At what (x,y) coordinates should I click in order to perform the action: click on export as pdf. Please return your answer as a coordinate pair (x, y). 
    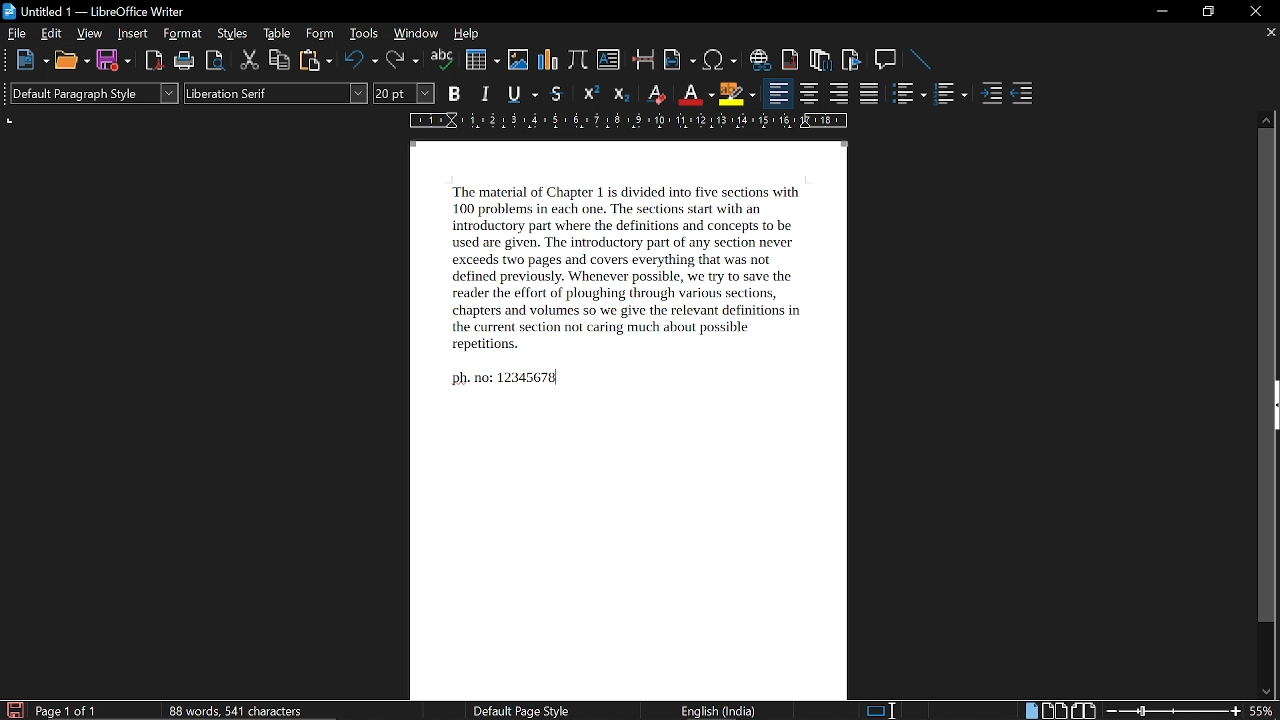
    Looking at the image, I should click on (151, 61).